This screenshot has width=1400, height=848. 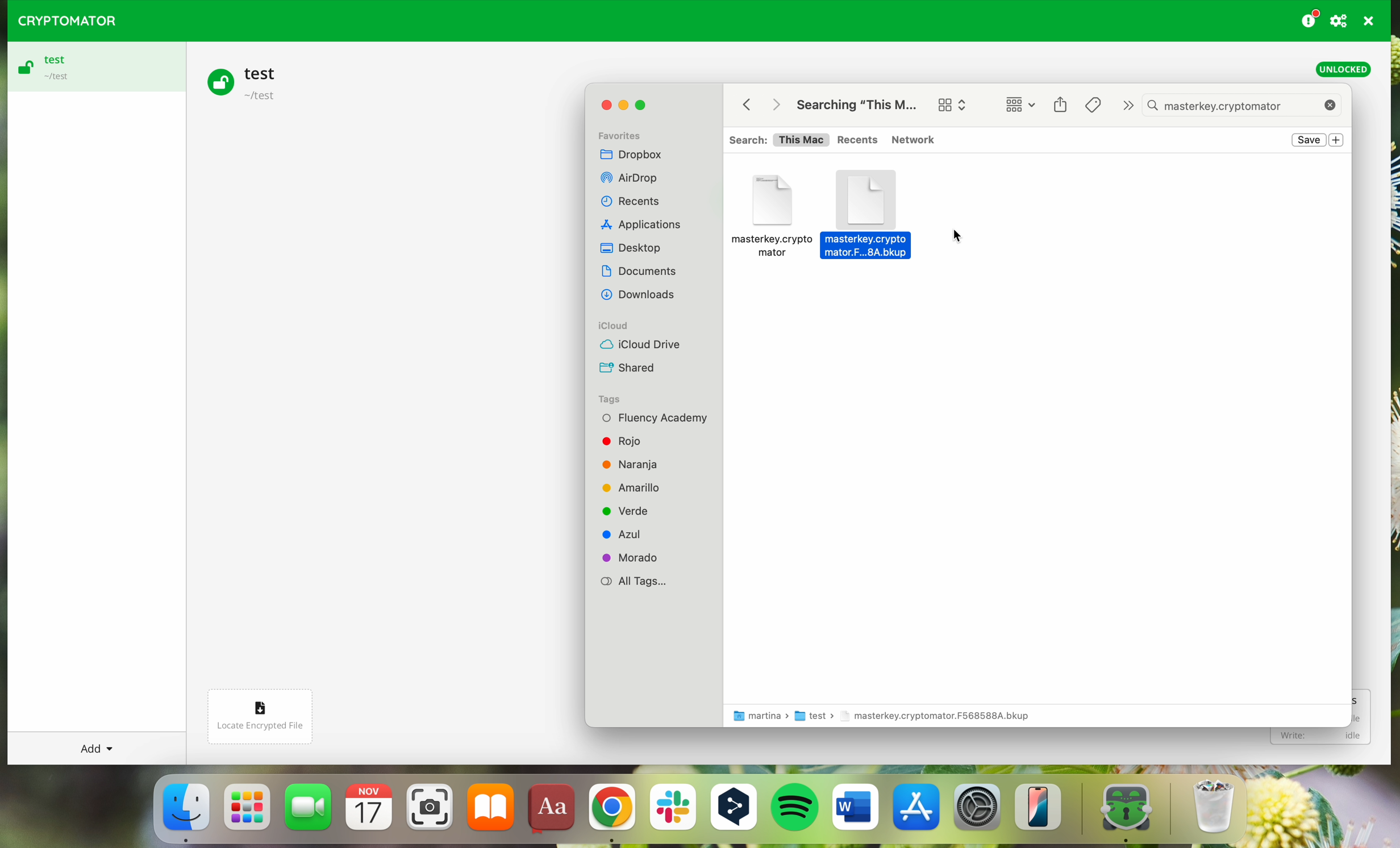 I want to click on search for, so click(x=860, y=101).